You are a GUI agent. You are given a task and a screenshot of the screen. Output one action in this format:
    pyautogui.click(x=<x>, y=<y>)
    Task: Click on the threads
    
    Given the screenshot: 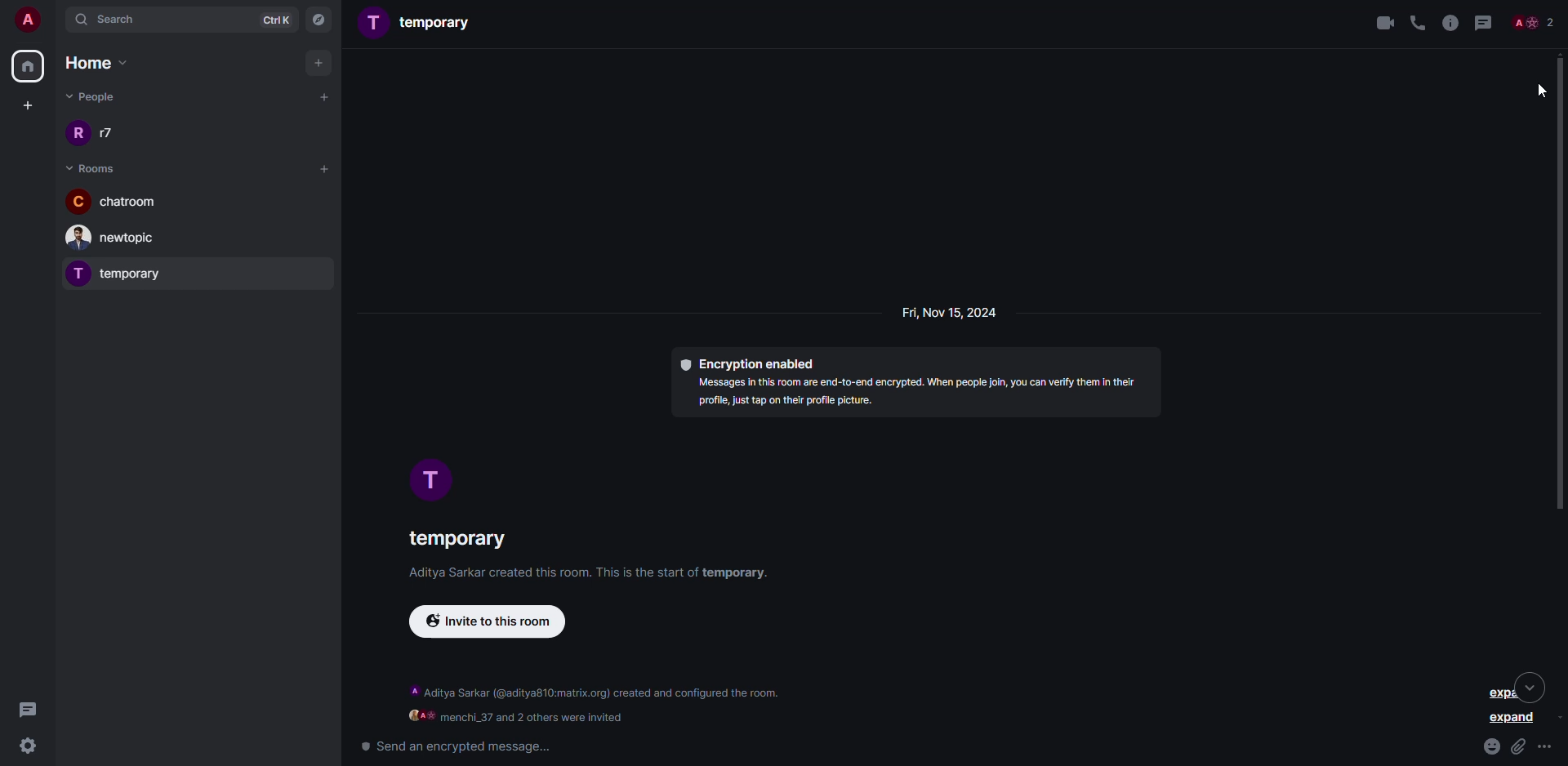 What is the action you would take?
    pyautogui.click(x=31, y=708)
    